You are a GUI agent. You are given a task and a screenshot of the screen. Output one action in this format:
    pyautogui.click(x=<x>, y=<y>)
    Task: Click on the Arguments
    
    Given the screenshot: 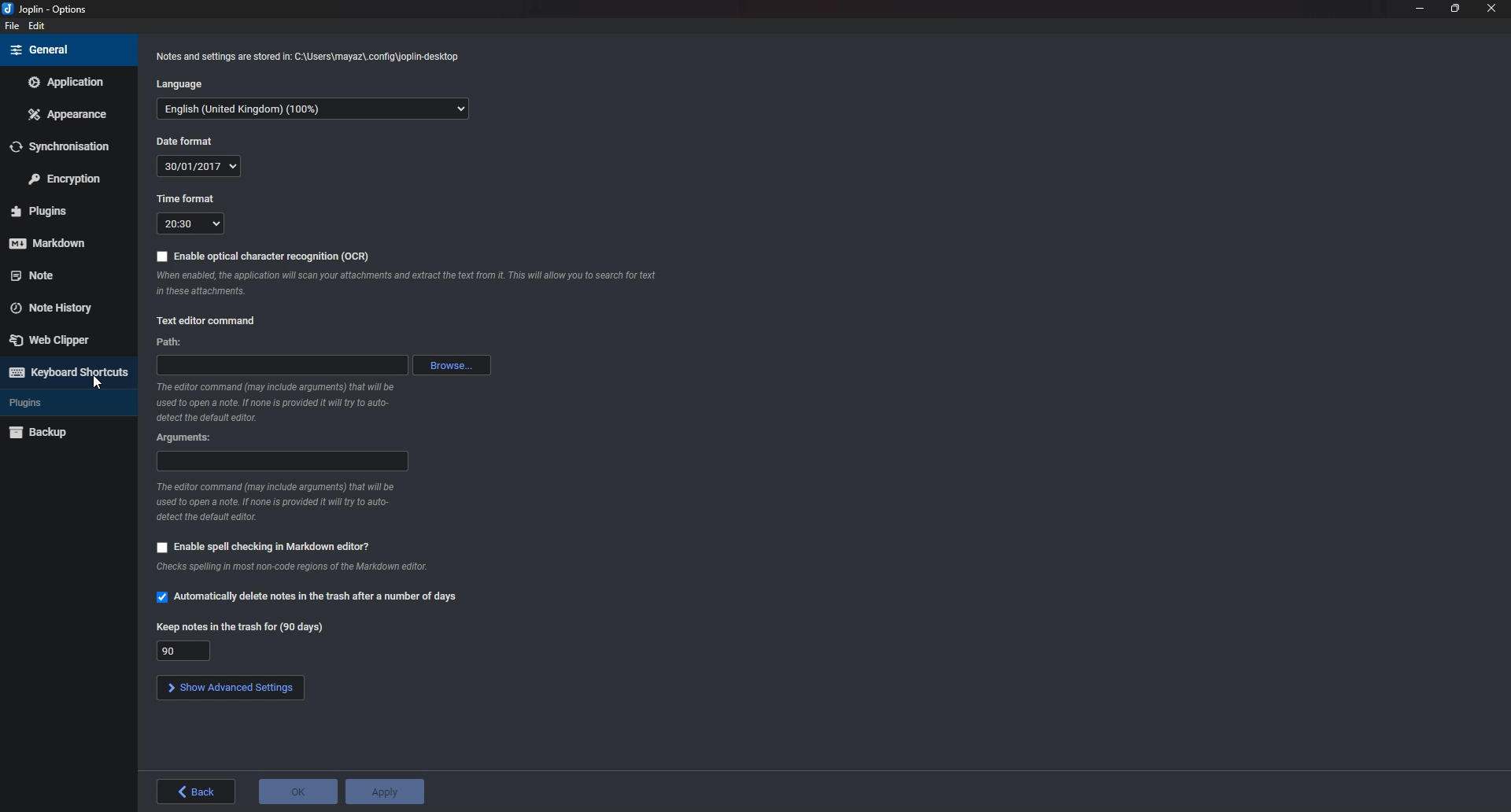 What is the action you would take?
    pyautogui.click(x=190, y=439)
    